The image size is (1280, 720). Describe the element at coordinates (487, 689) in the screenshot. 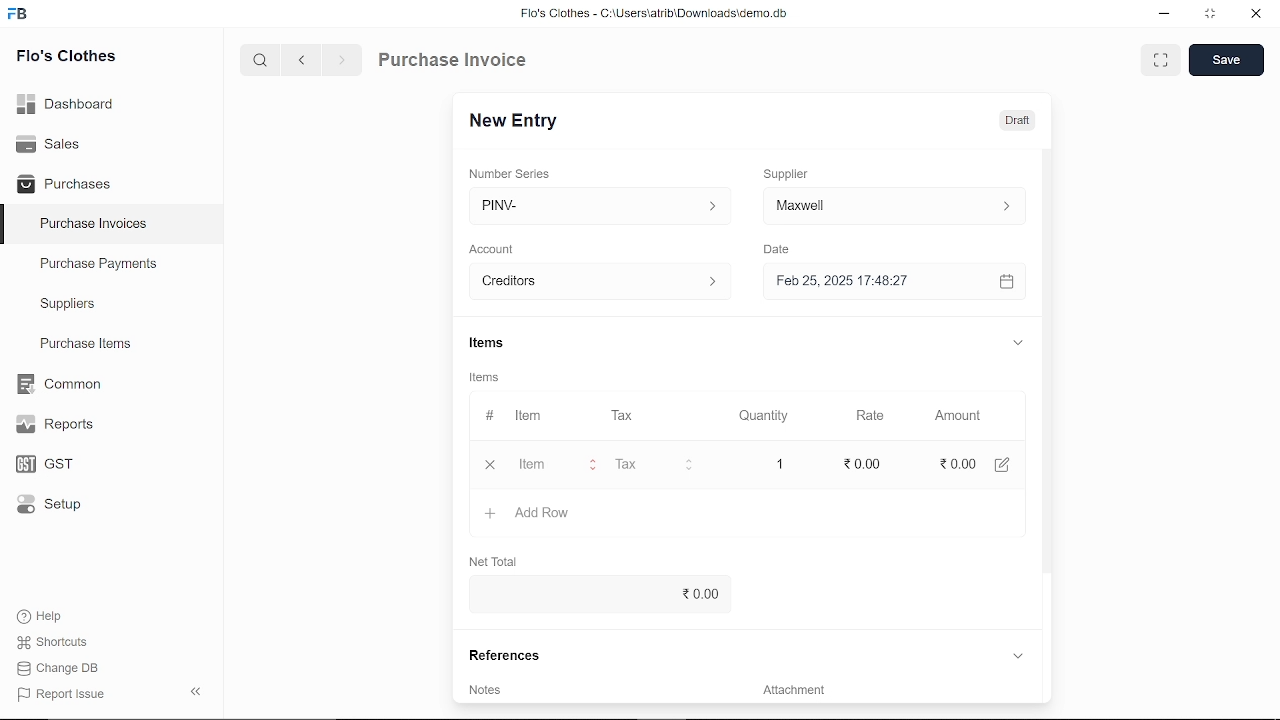

I see `Notes` at that location.